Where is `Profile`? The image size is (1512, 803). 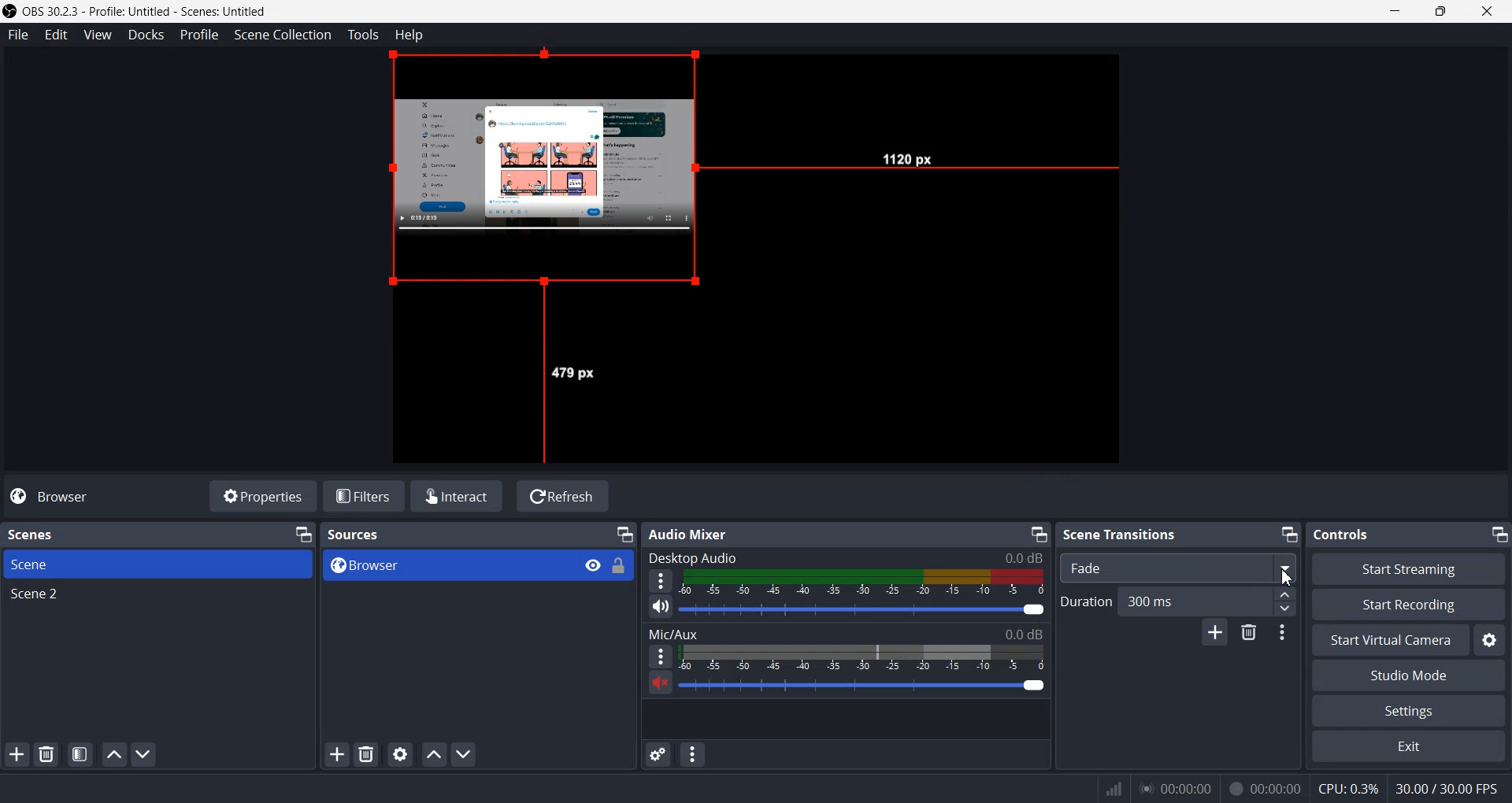 Profile is located at coordinates (200, 35).